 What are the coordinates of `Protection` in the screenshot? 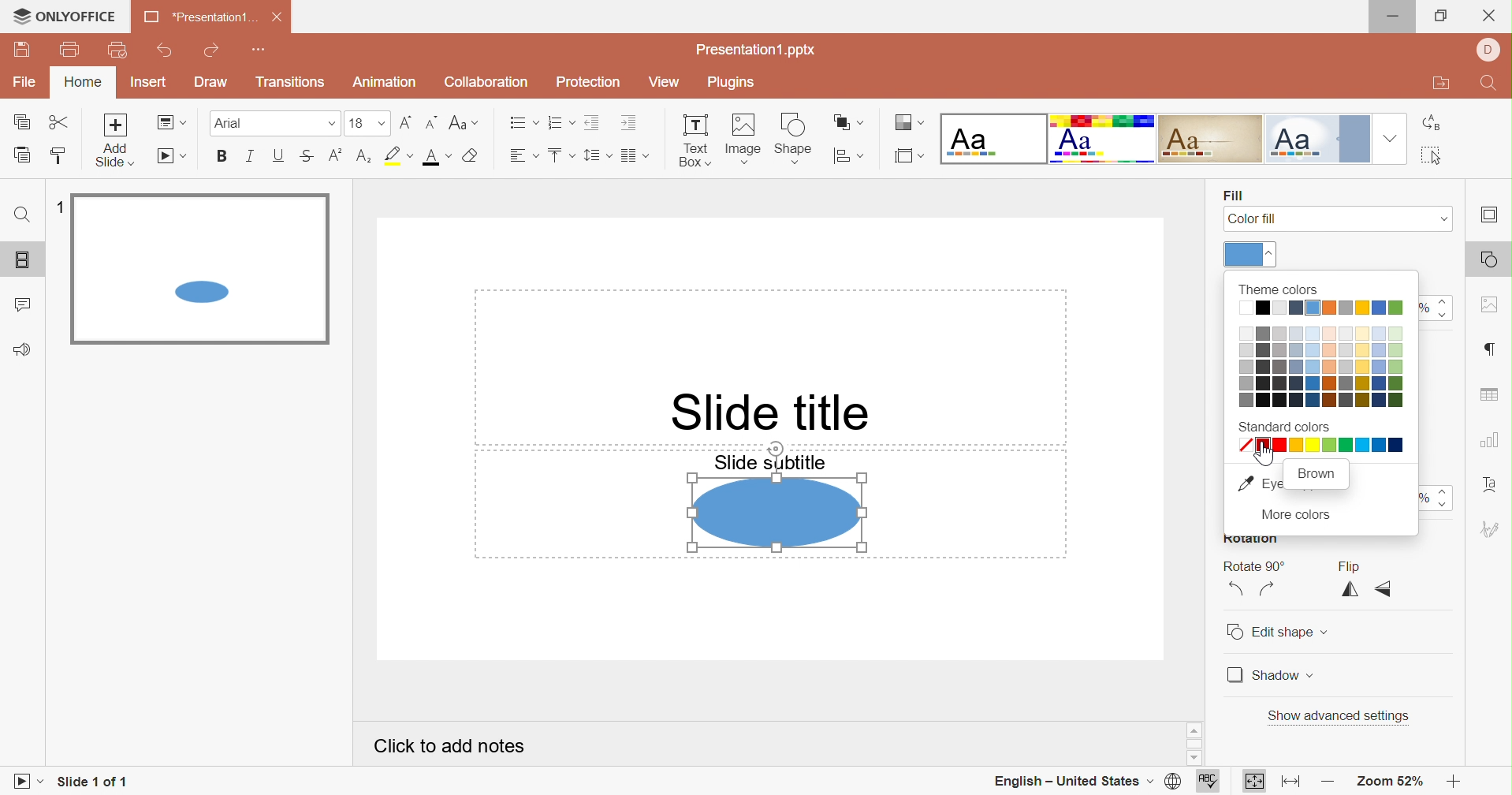 It's located at (590, 83).